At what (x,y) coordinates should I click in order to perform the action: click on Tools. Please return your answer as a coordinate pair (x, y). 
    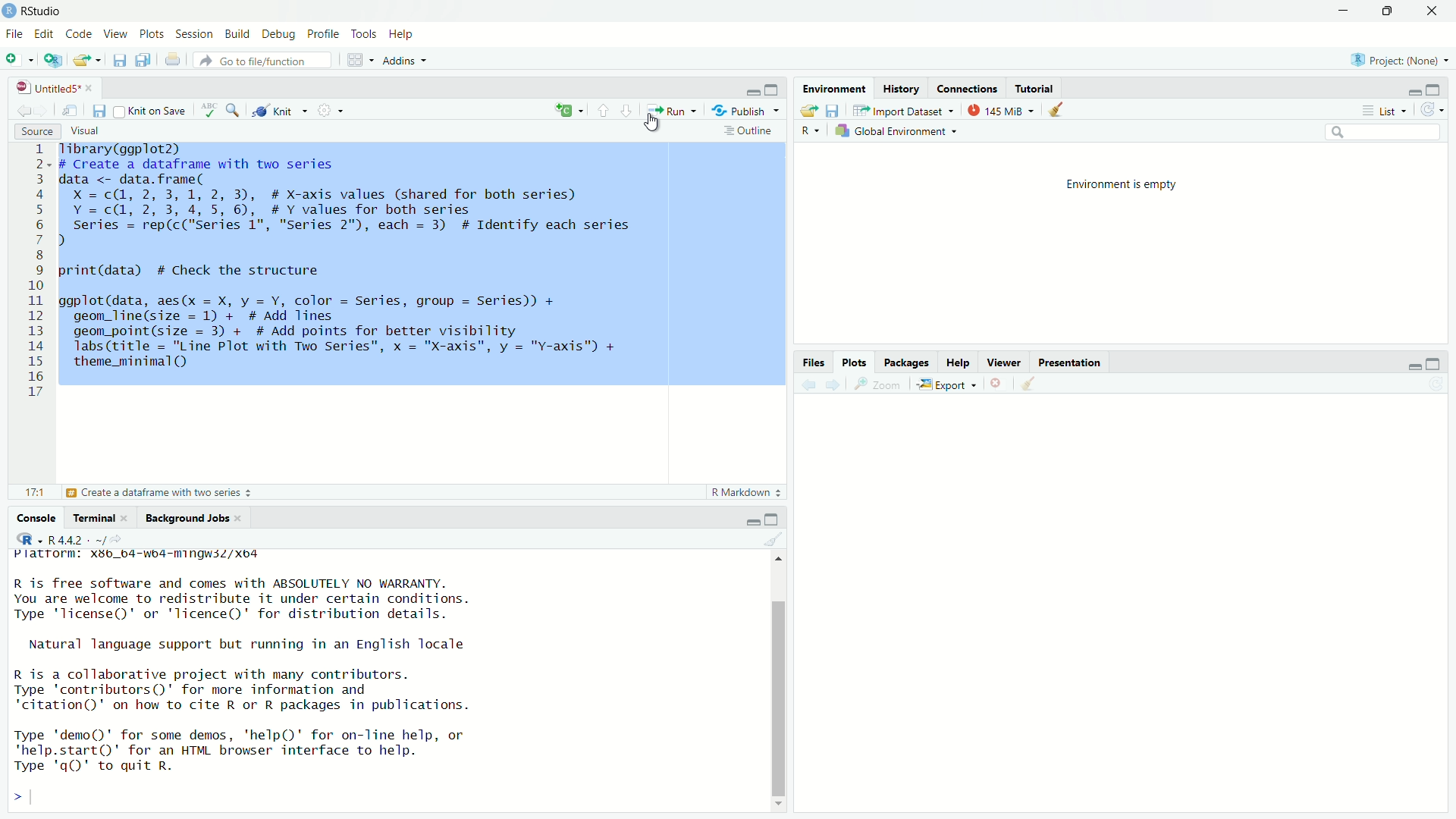
    Looking at the image, I should click on (367, 36).